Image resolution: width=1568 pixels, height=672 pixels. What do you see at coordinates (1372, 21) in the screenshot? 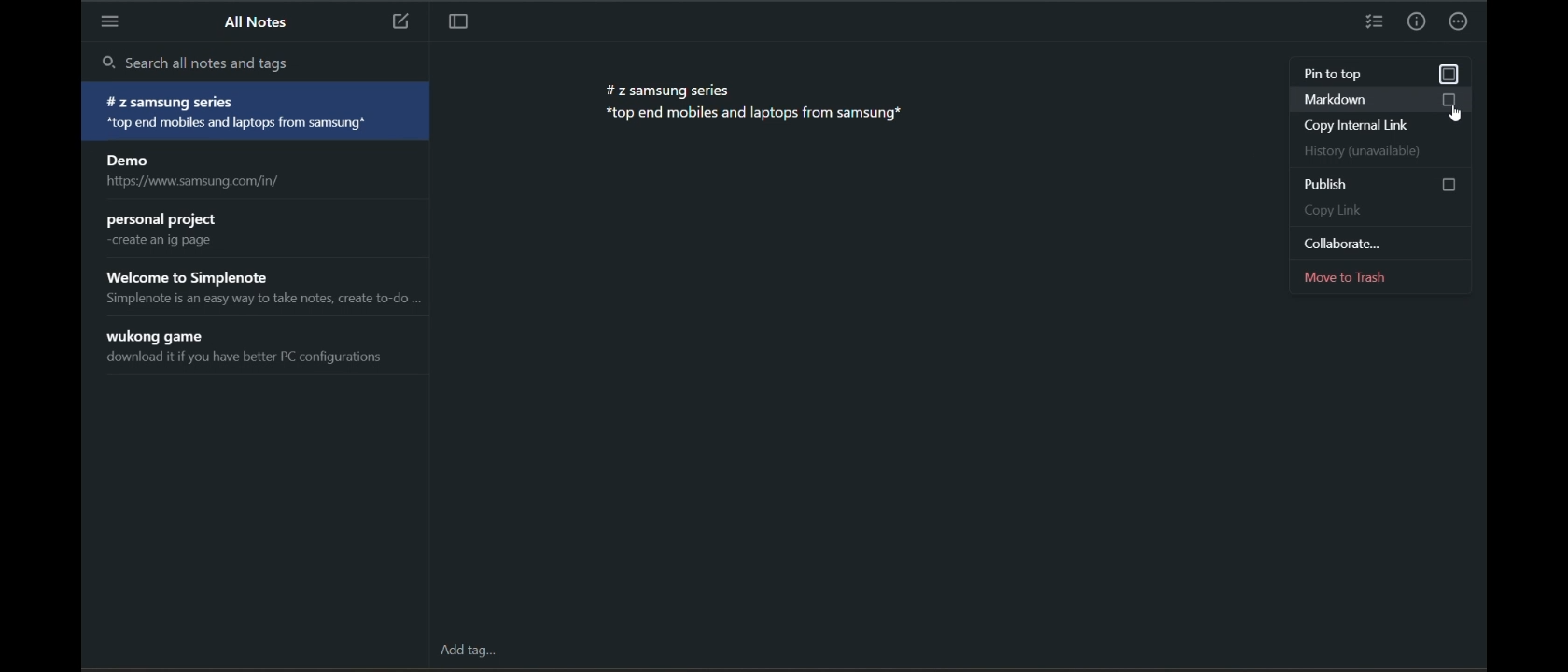
I see `insert checklist` at bounding box center [1372, 21].